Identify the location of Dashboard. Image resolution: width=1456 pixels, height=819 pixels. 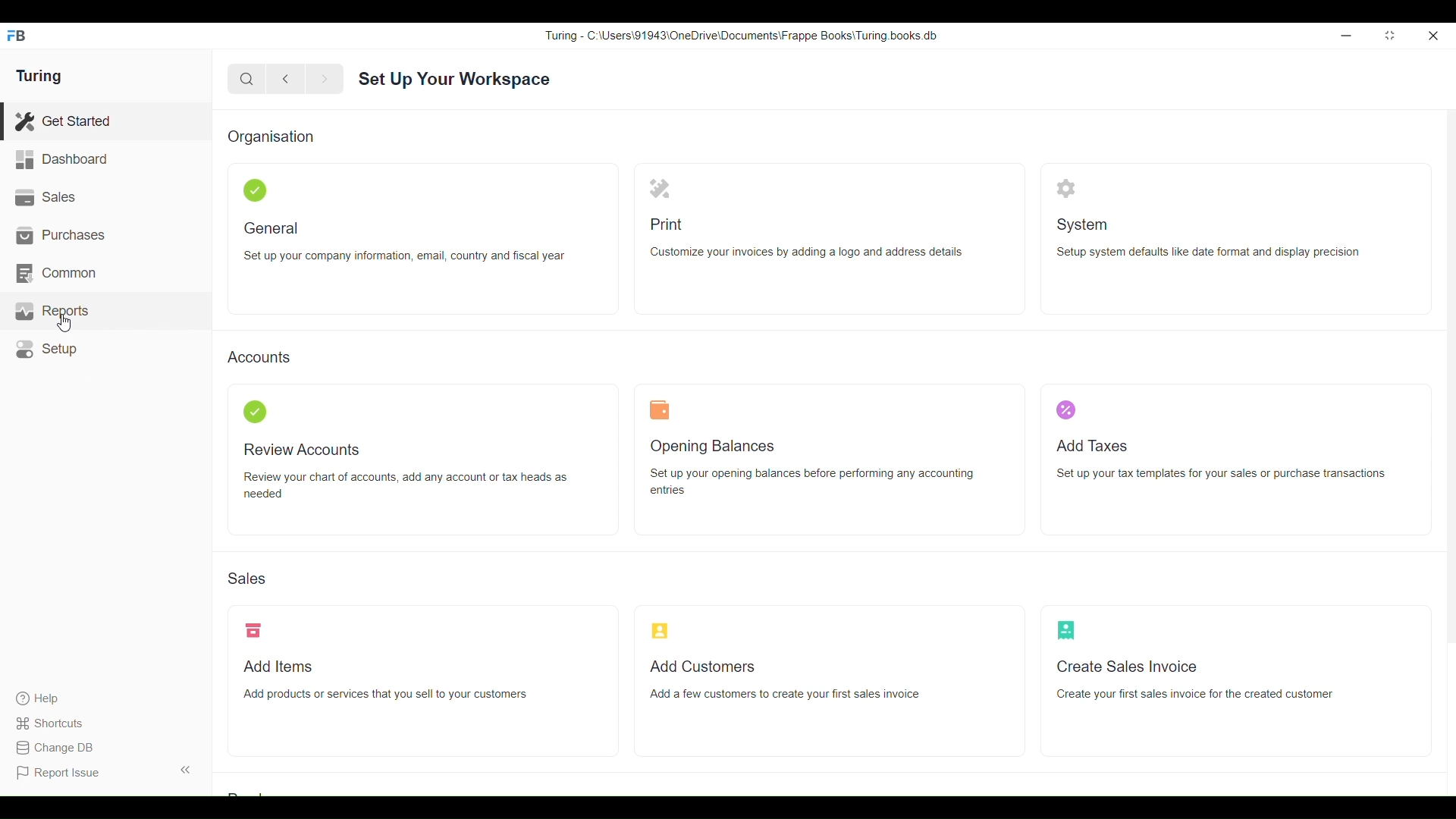
(105, 160).